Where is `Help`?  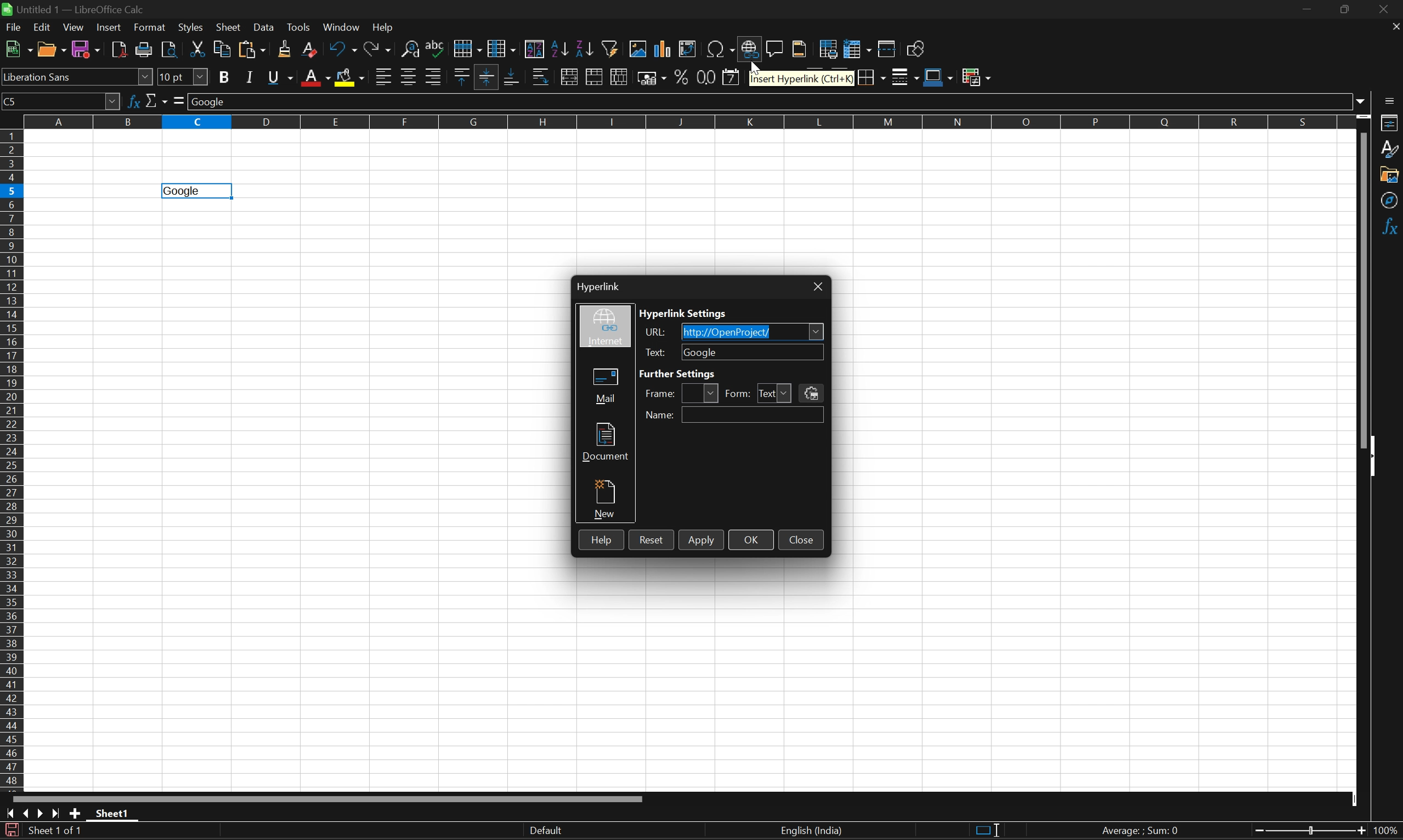
Help is located at coordinates (600, 539).